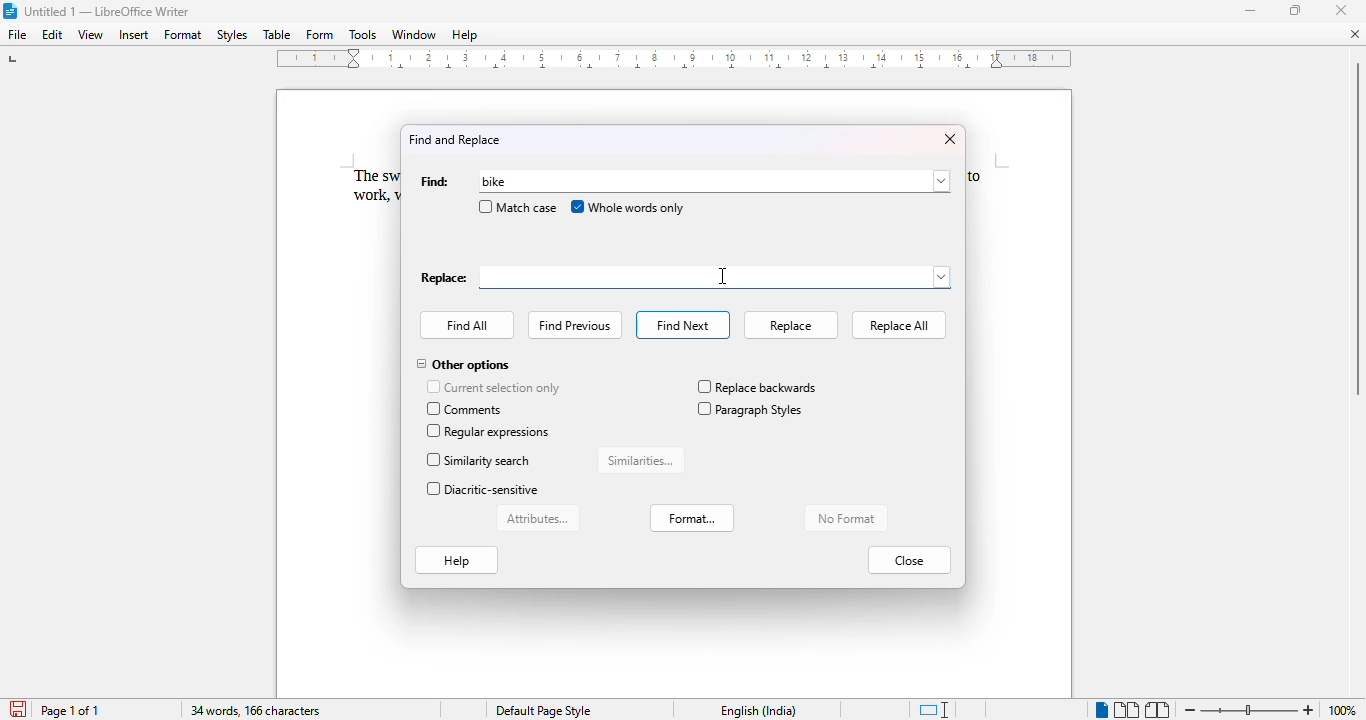  Describe the element at coordinates (70, 710) in the screenshot. I see `page 1 of 1` at that location.